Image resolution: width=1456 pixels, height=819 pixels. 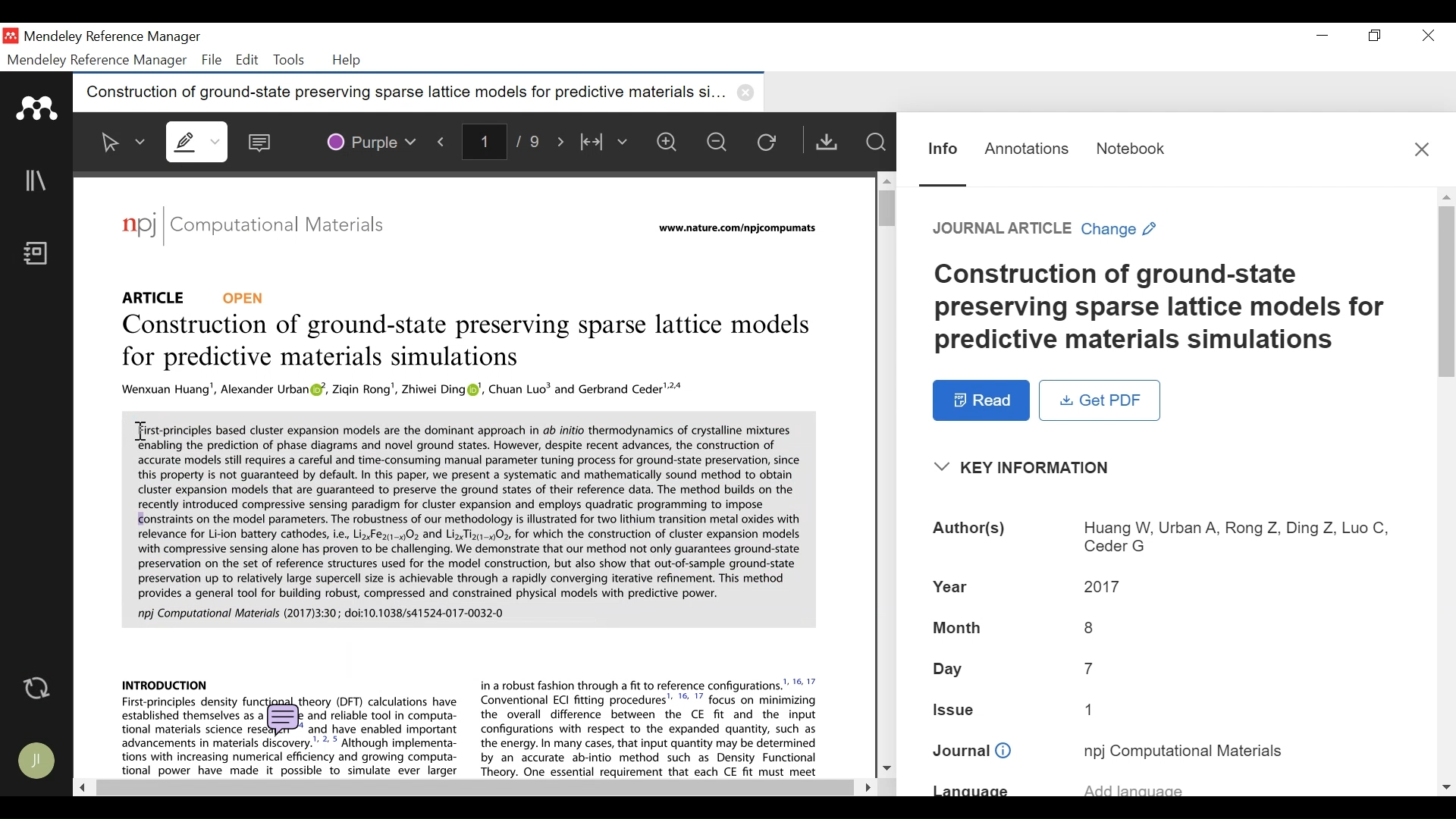 What do you see at coordinates (111, 39) in the screenshot?
I see `Mendeley Reference Manager` at bounding box center [111, 39].